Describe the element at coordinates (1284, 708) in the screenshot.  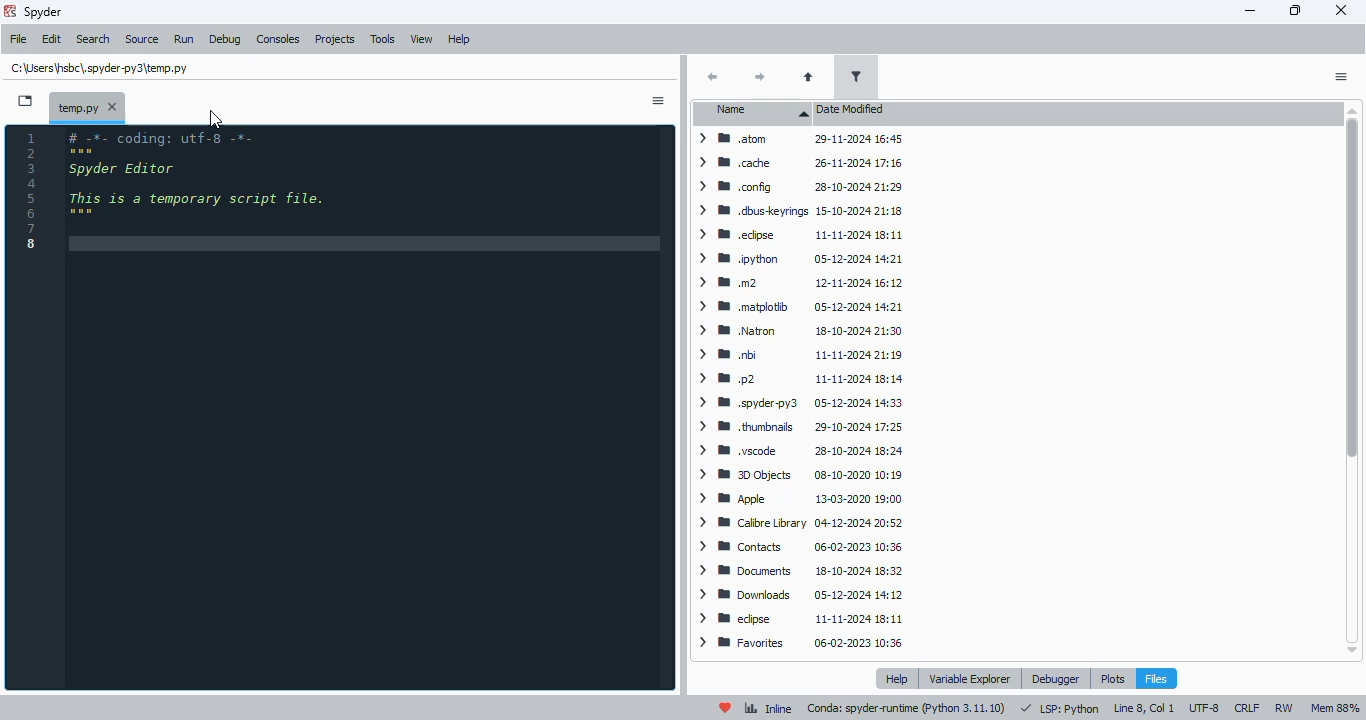
I see `RW` at that location.